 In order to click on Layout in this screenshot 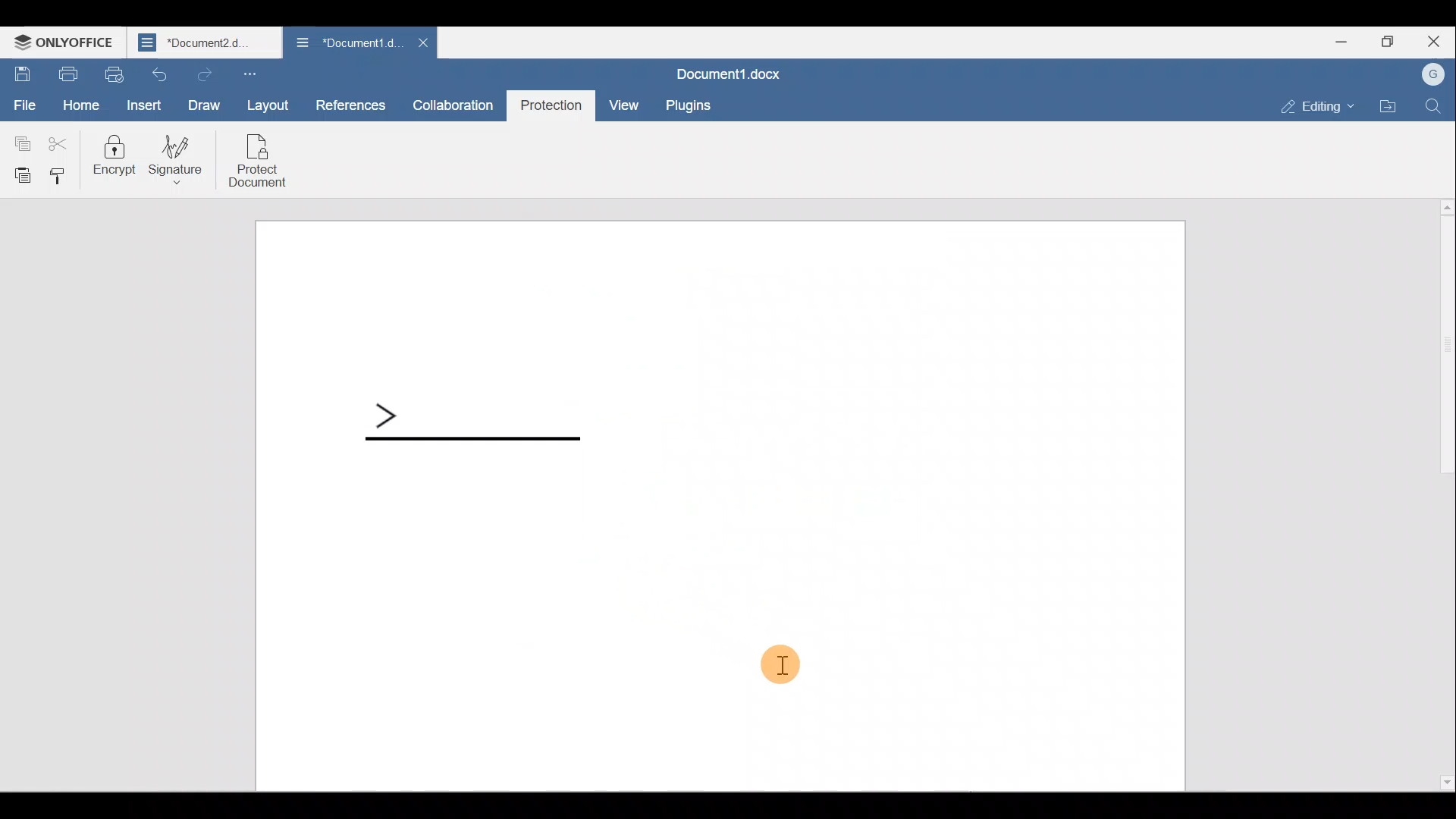, I will do `click(265, 102)`.